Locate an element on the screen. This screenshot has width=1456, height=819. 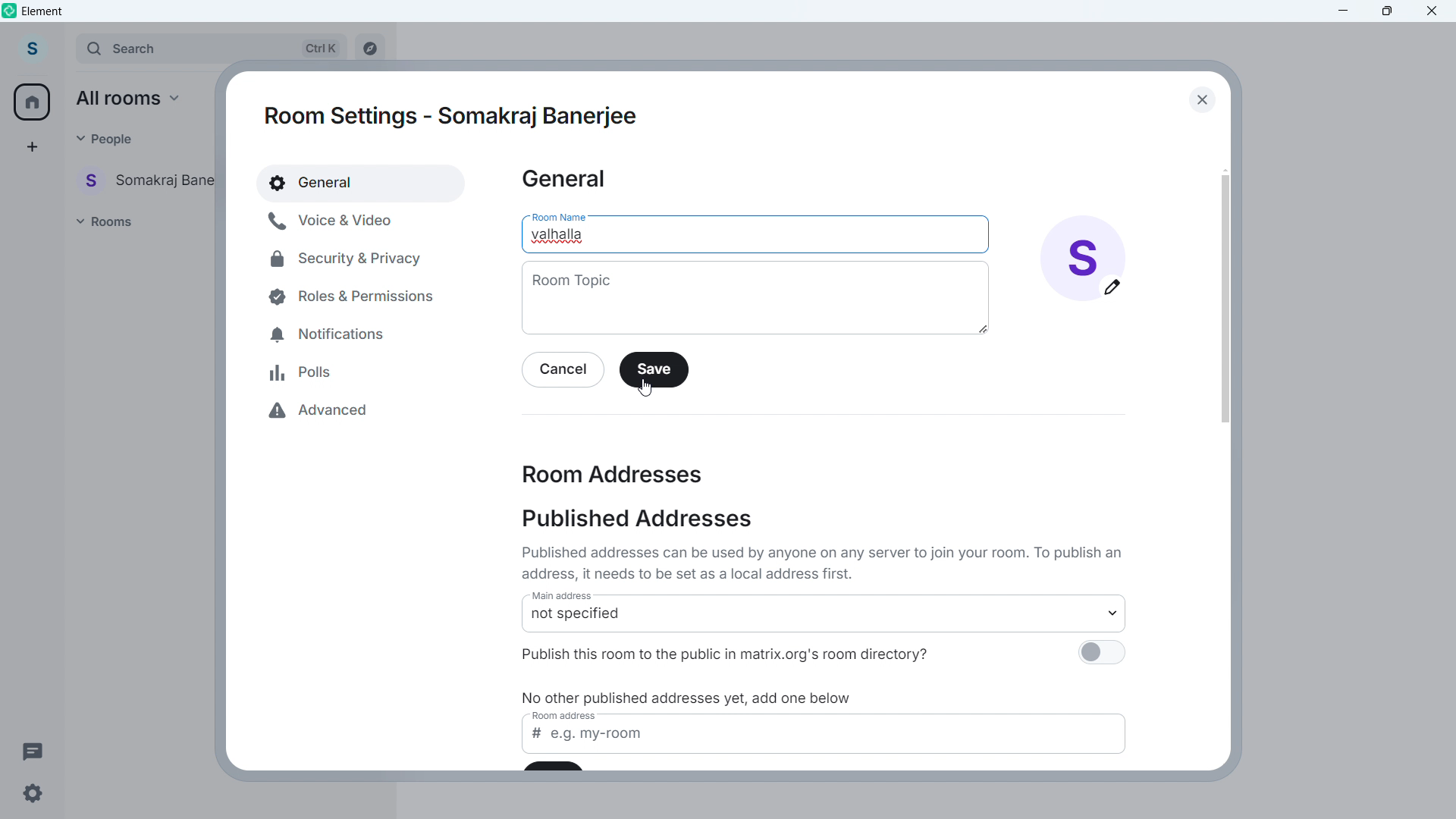
Room name- valhalla is located at coordinates (561, 234).